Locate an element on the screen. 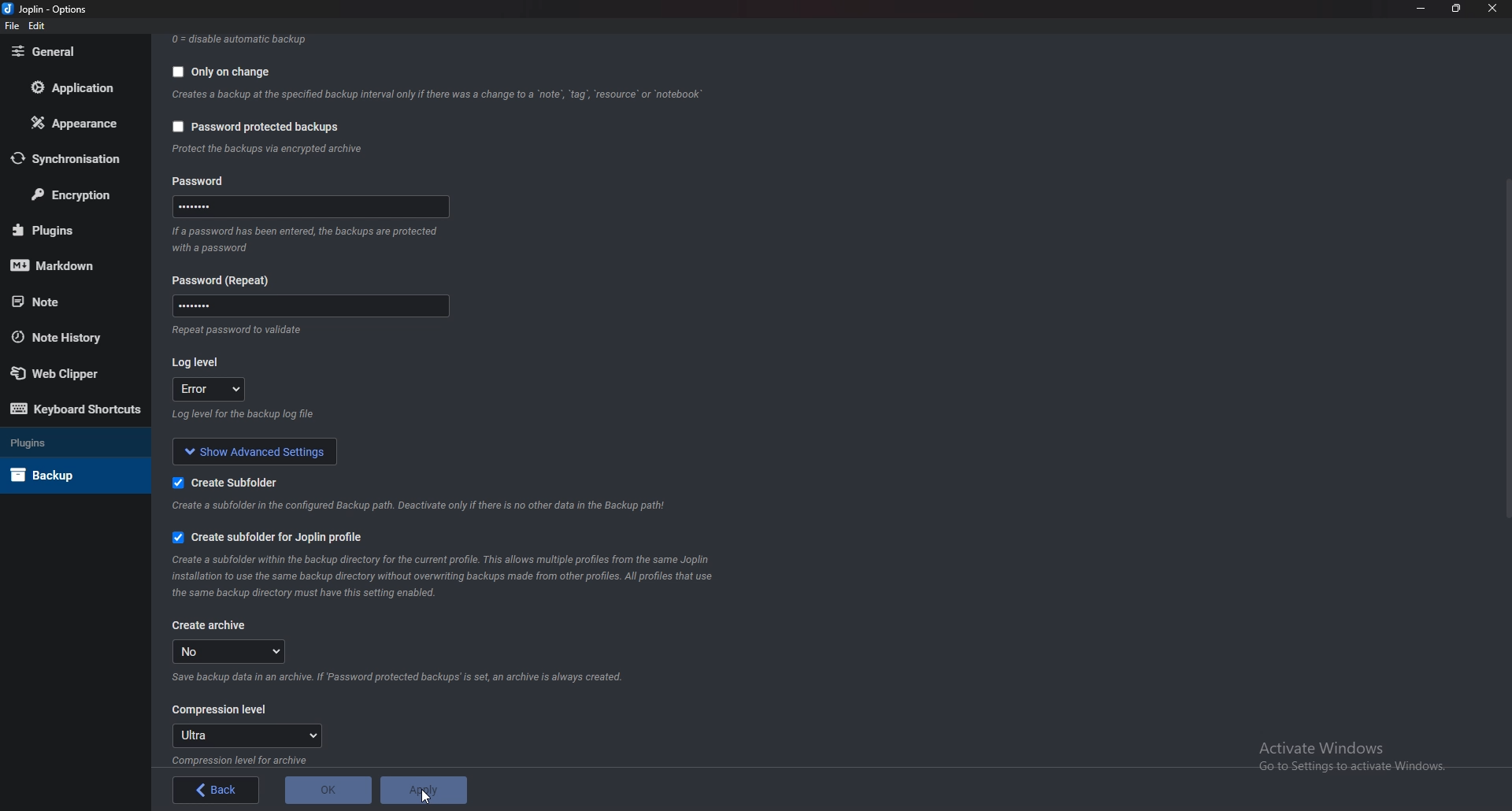  Info on log level is located at coordinates (244, 414).